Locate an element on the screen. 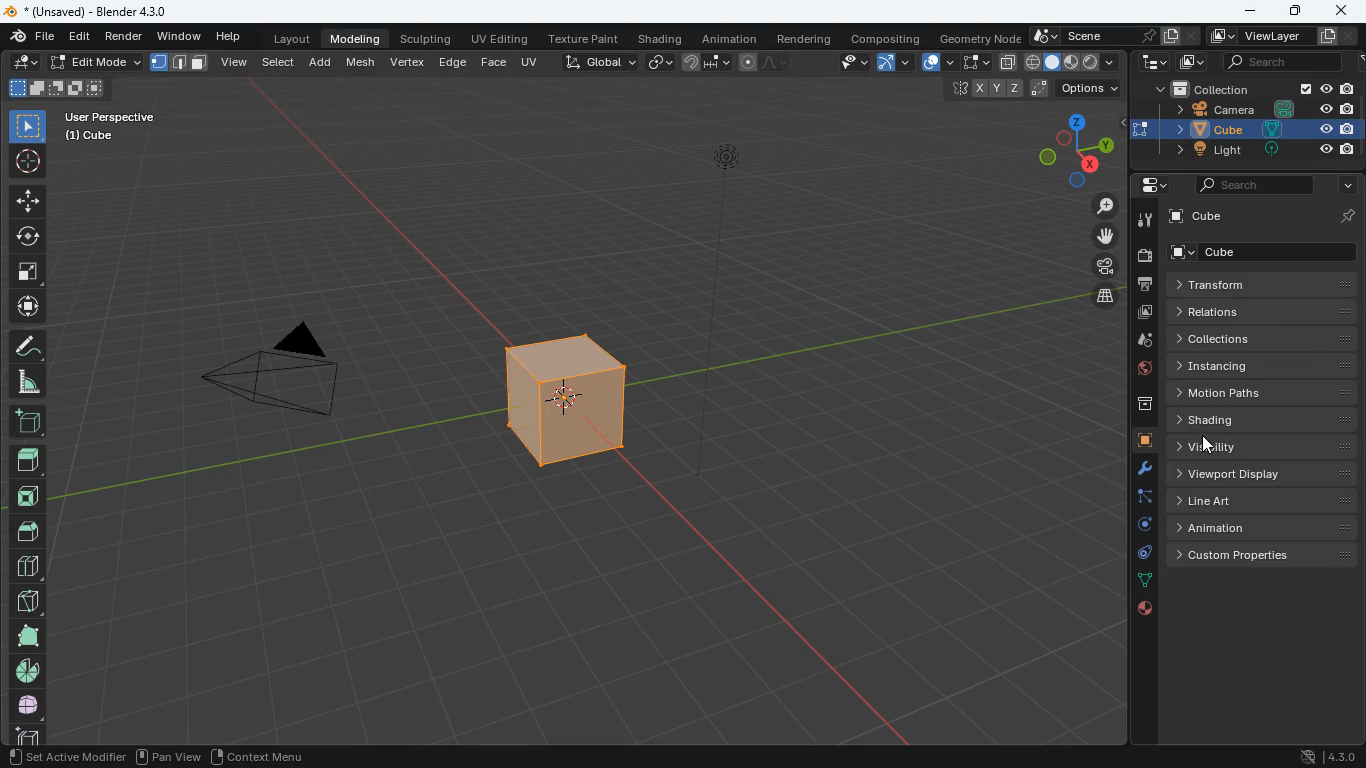 Image resolution: width=1366 pixels, height=768 pixels. print is located at coordinates (1148, 286).